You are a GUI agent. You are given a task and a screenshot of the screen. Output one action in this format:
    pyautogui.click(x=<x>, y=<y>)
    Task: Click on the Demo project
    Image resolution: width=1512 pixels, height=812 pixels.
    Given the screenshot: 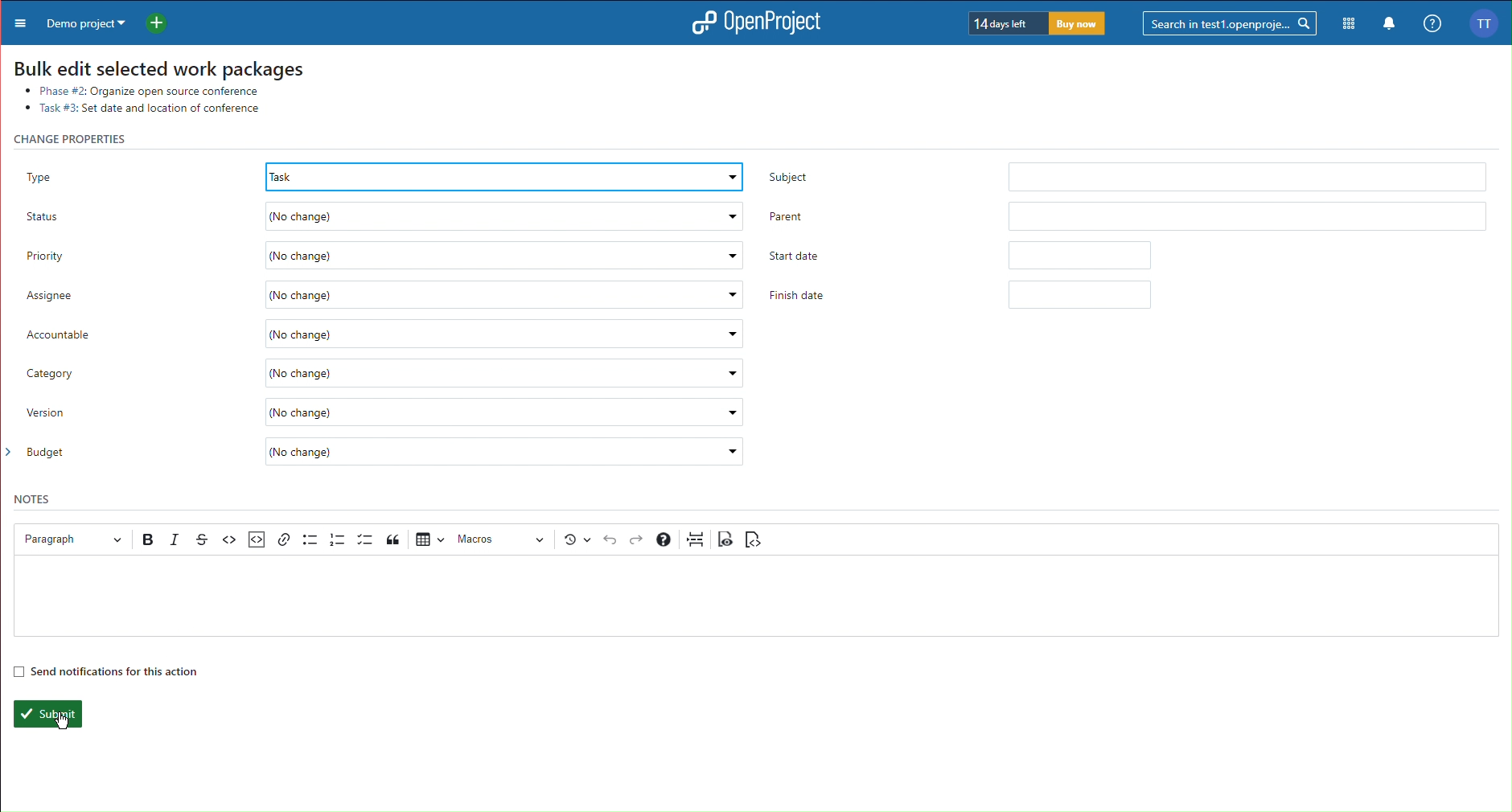 What is the action you would take?
    pyautogui.click(x=83, y=22)
    